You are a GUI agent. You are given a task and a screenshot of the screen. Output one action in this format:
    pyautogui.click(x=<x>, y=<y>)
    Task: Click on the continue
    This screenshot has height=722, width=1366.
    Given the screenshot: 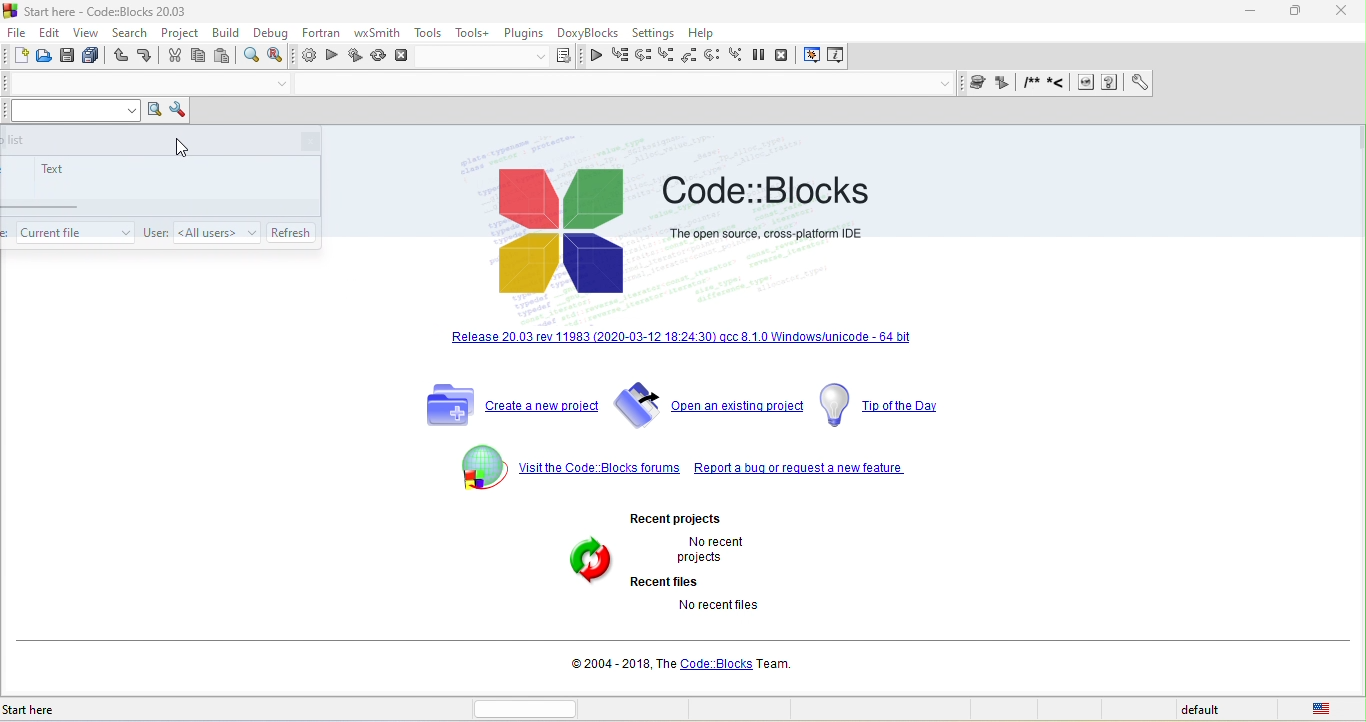 What is the action you would take?
    pyautogui.click(x=596, y=58)
    